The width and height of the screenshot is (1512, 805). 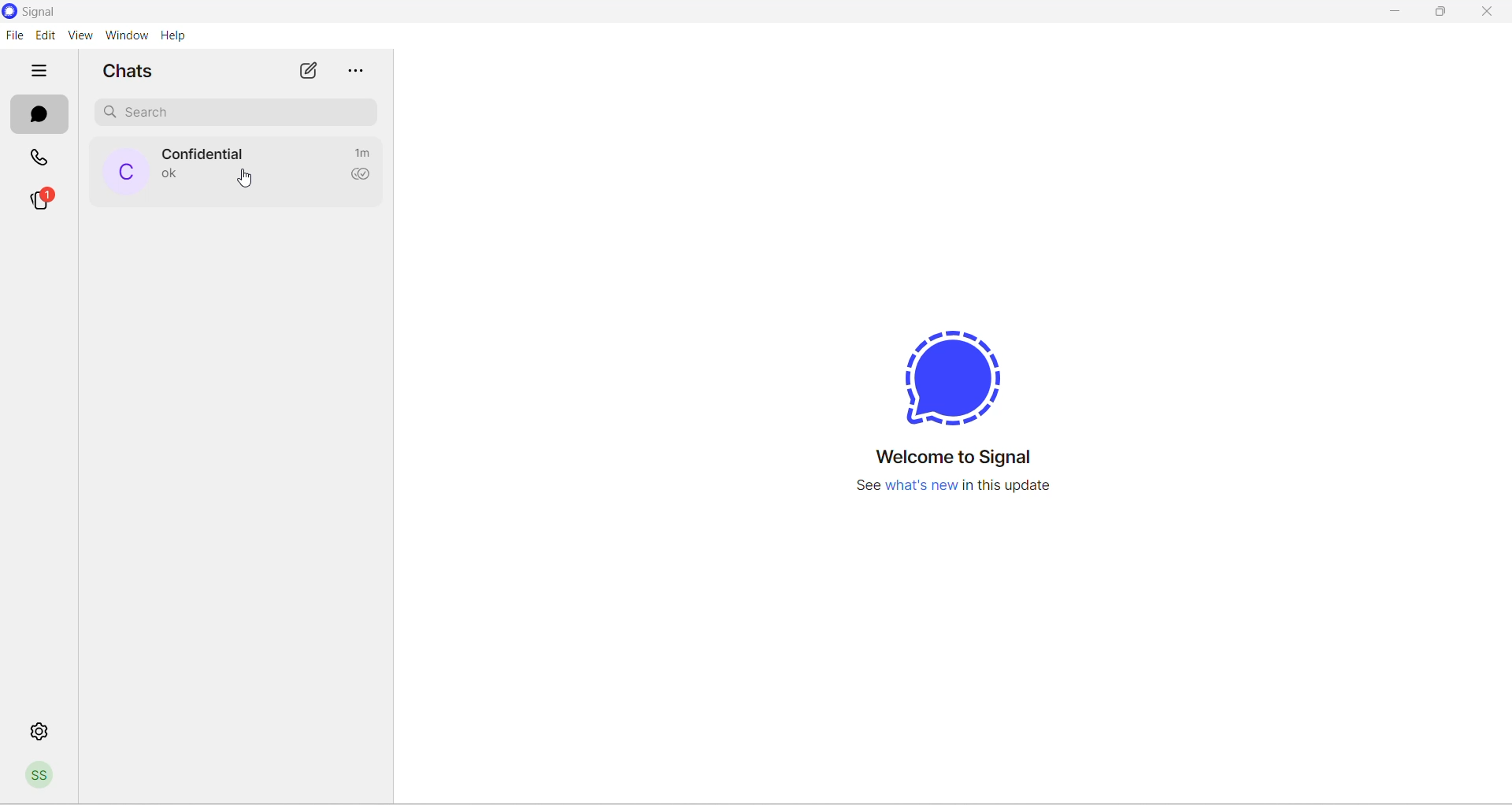 I want to click on calls, so click(x=36, y=156).